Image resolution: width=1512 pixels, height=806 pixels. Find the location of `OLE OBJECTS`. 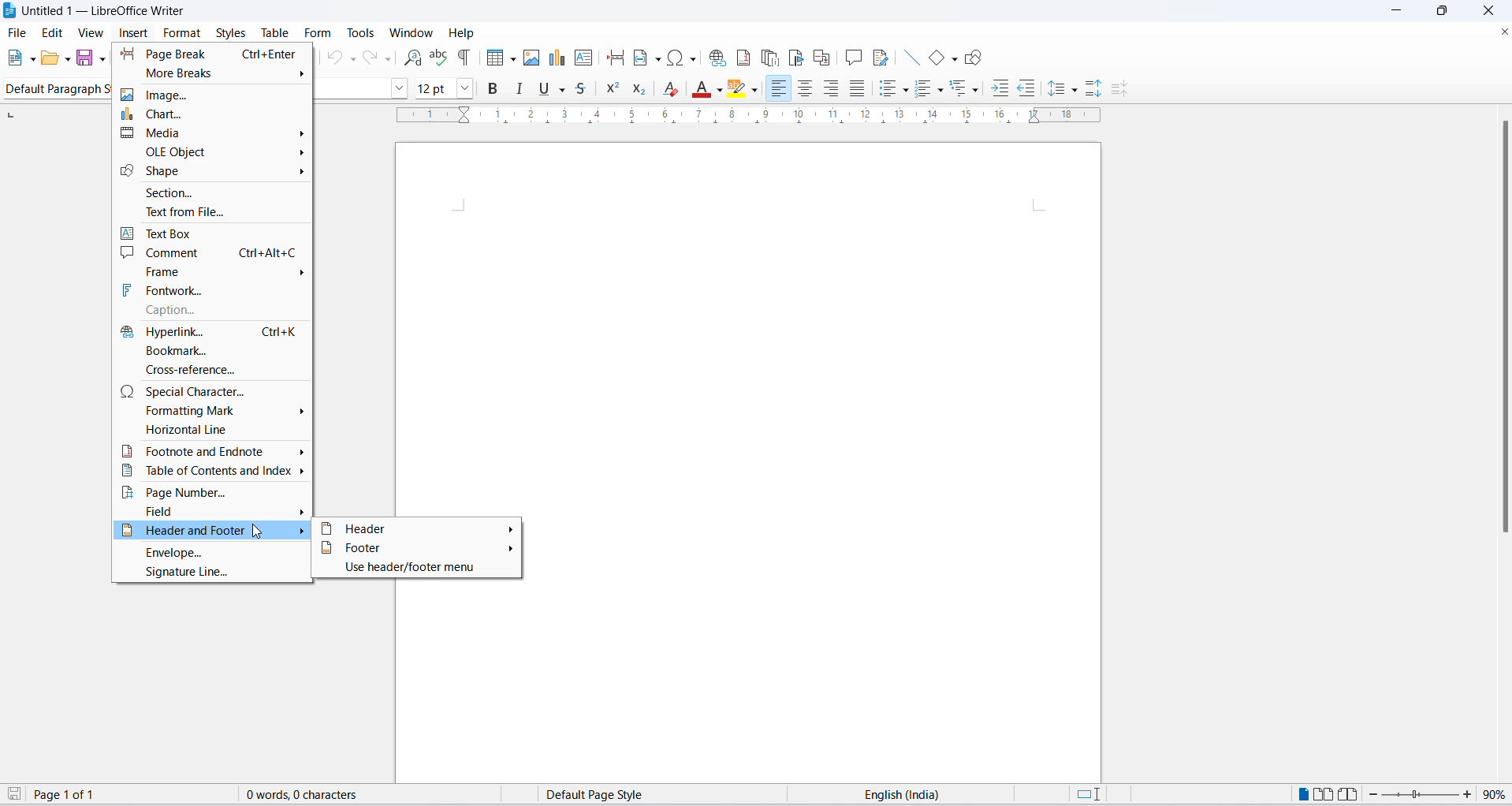

OLE OBJECTS is located at coordinates (220, 153).